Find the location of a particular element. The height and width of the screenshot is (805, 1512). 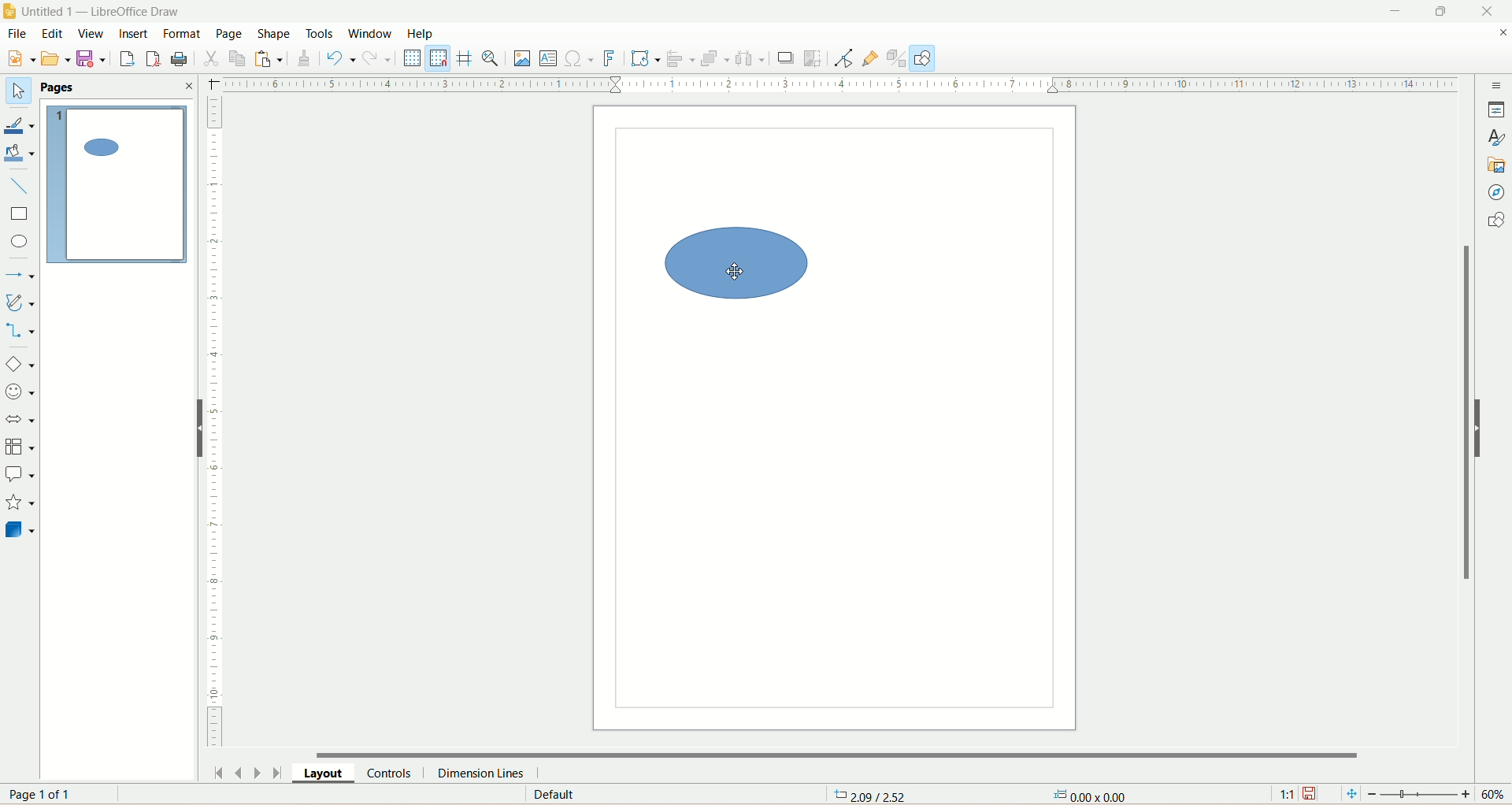

callout is located at coordinates (19, 475).